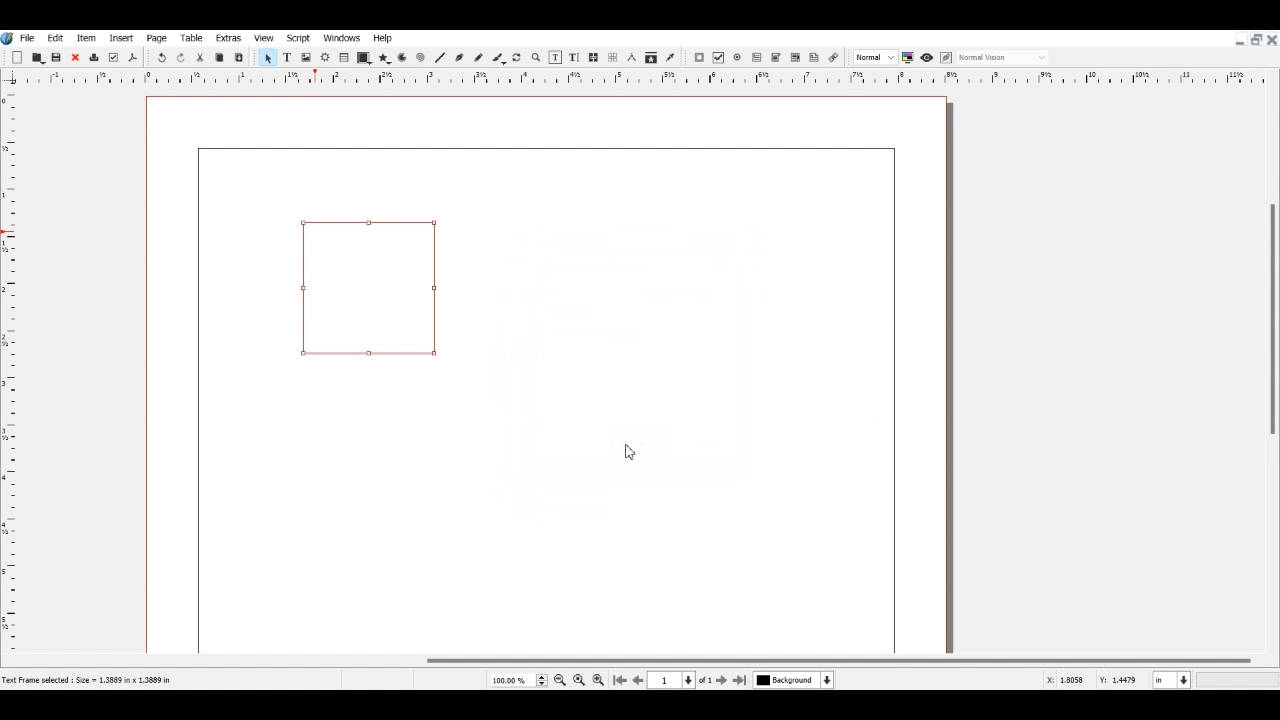 The image size is (1280, 720). Describe the element at coordinates (946, 58) in the screenshot. I see `Edit in preview mode` at that location.